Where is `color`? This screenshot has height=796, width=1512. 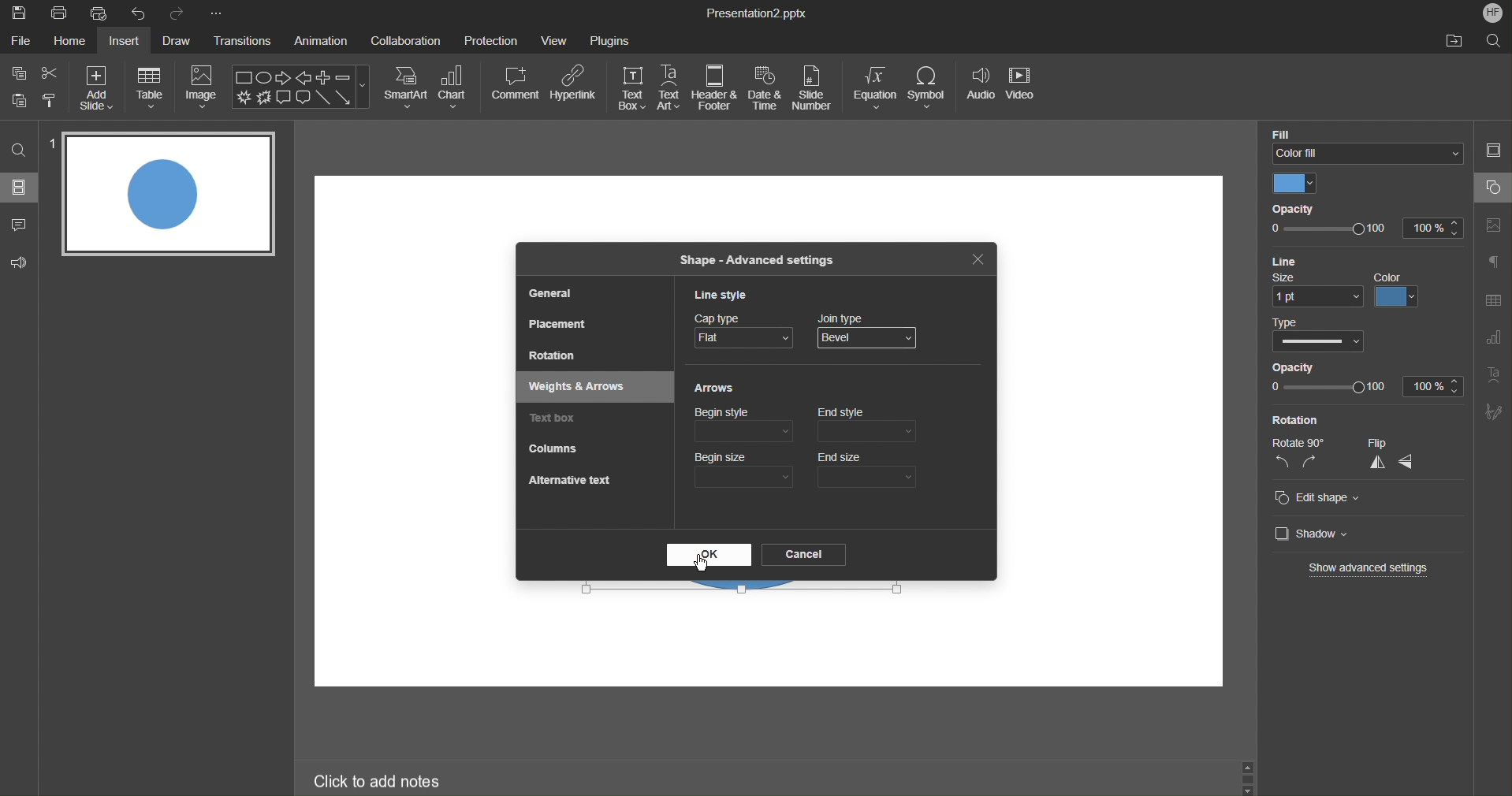 color is located at coordinates (1399, 290).